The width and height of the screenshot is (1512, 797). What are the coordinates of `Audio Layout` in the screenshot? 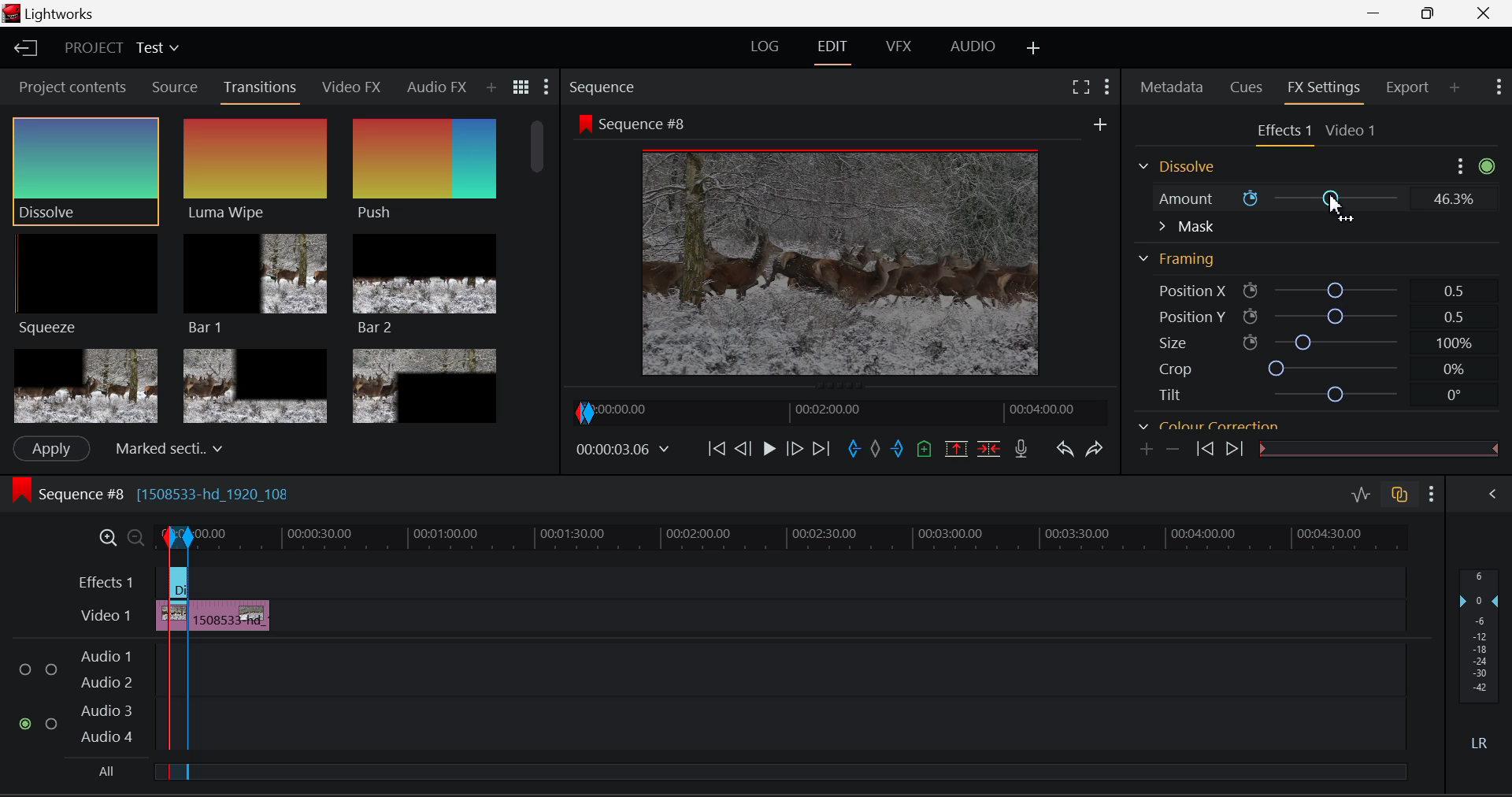 It's located at (969, 50).